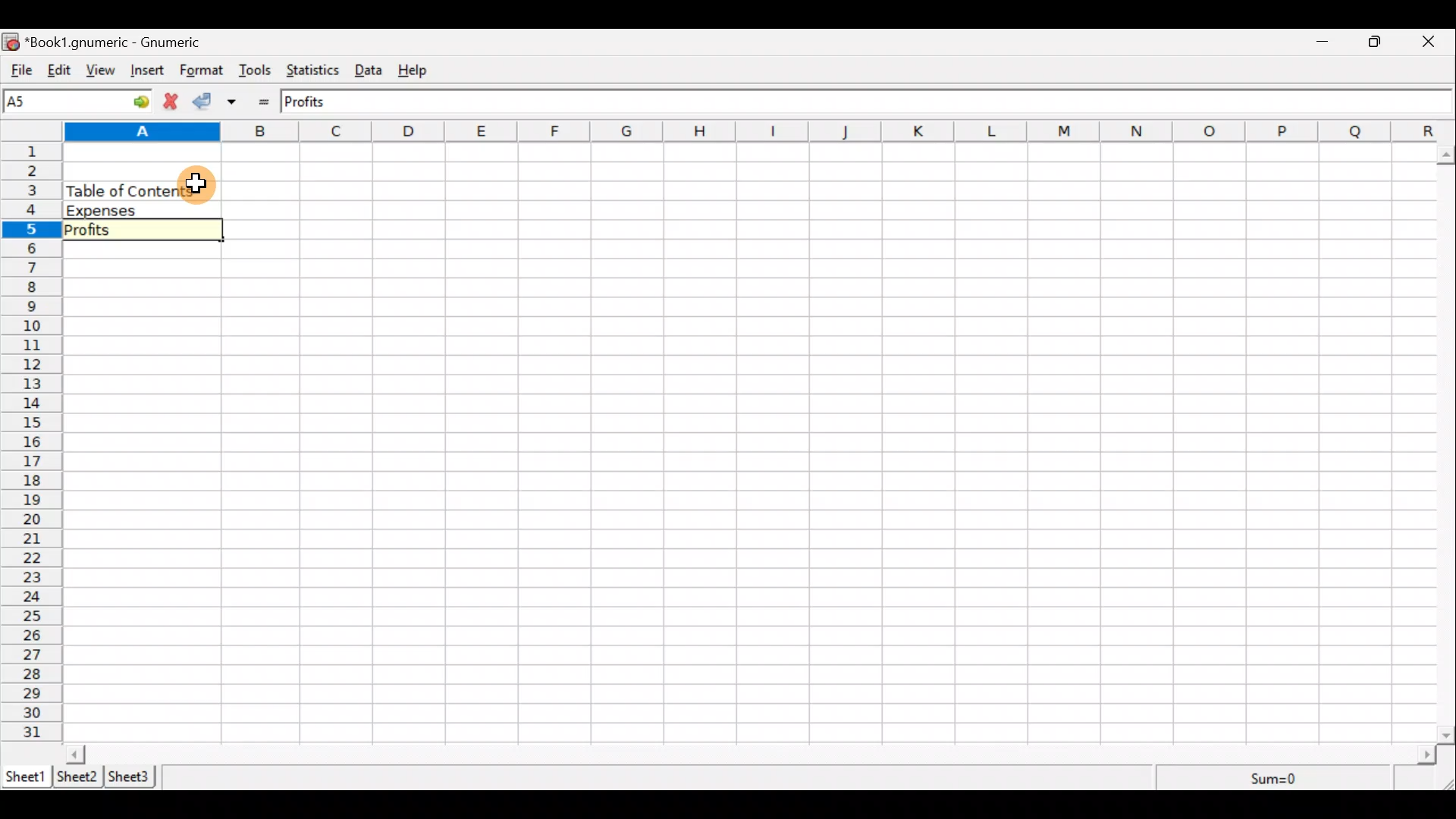 This screenshot has height=819, width=1456. I want to click on Maximize/Minimize, so click(1379, 42).